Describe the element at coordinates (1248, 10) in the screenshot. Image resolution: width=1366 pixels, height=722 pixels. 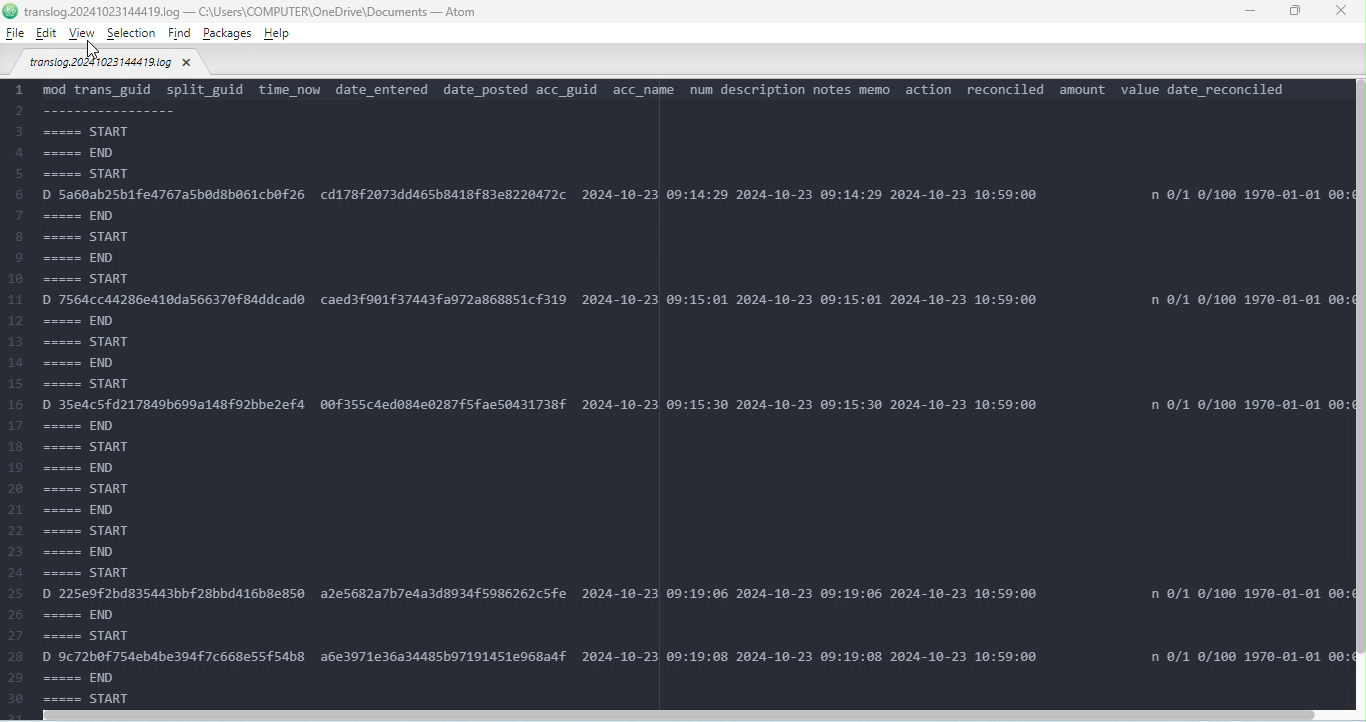
I see `Minimize` at that location.